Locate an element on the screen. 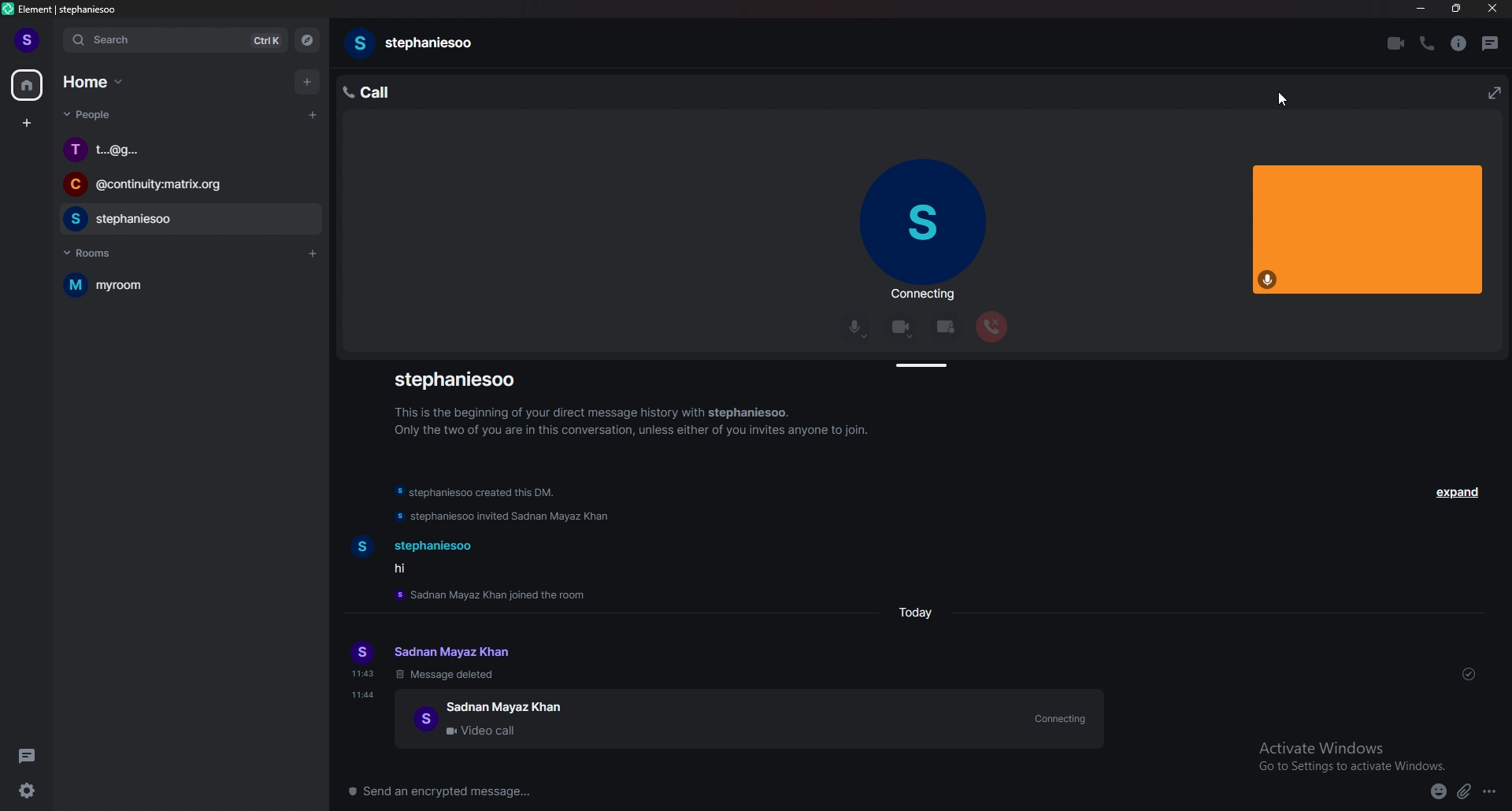 The width and height of the screenshot is (1512, 811). people is located at coordinates (91, 115).